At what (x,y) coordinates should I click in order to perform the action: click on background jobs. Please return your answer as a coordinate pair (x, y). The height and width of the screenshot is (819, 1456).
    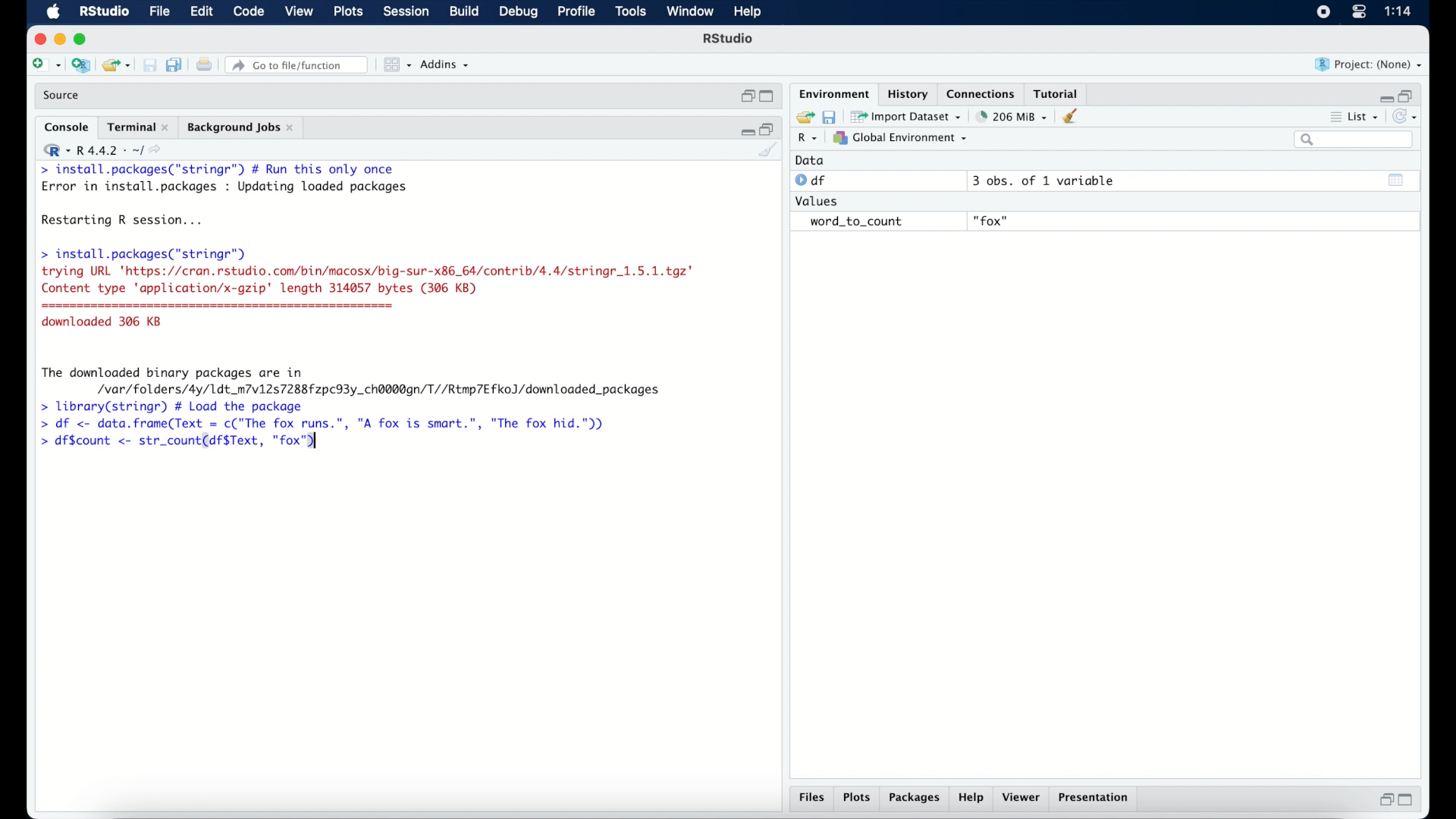
    Looking at the image, I should click on (242, 129).